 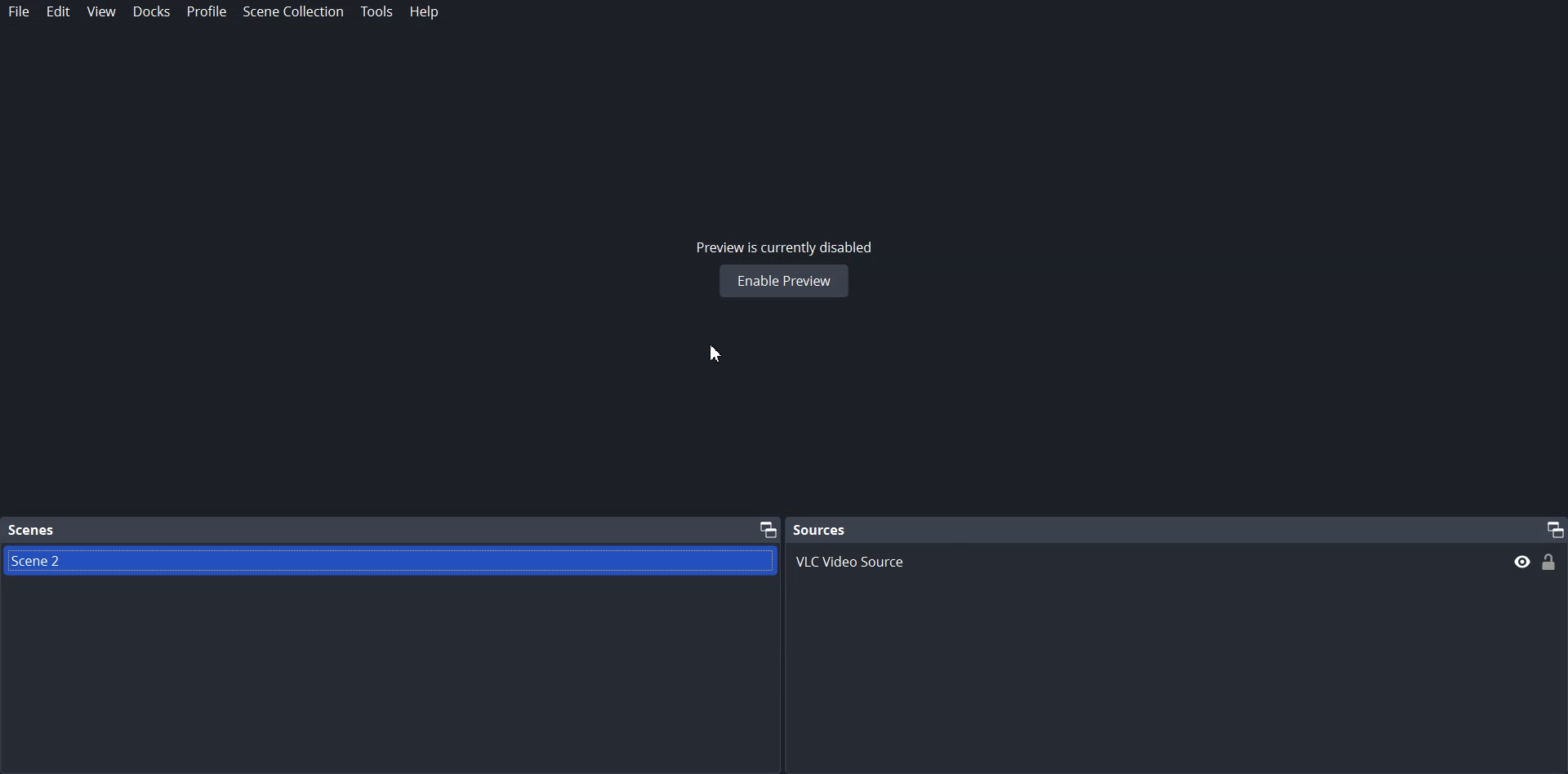 I want to click on Preview is currently disabled, so click(x=781, y=243).